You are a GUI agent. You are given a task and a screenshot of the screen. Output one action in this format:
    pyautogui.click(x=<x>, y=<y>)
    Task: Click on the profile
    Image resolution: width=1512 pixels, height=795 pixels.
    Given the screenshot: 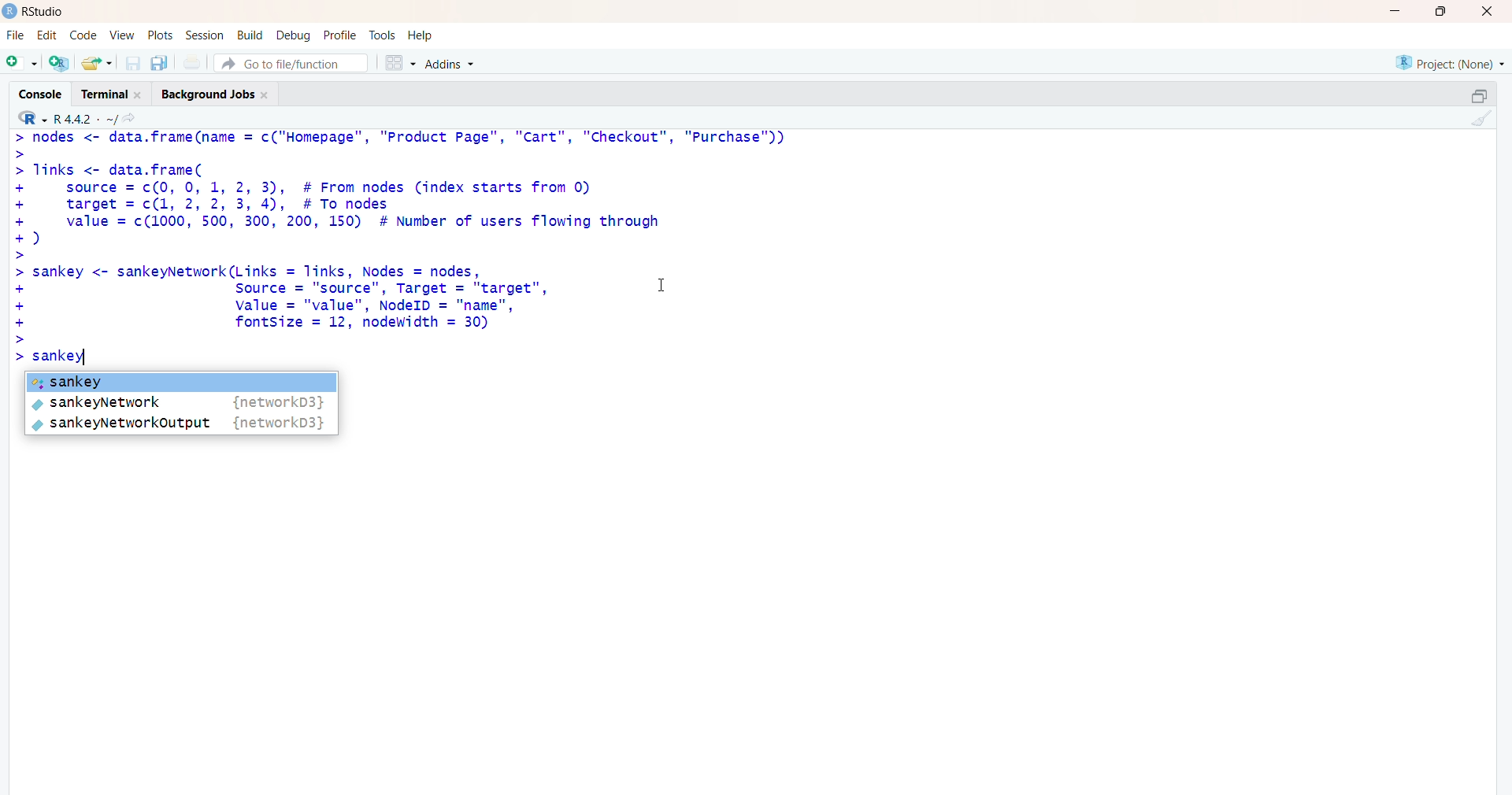 What is the action you would take?
    pyautogui.click(x=339, y=34)
    